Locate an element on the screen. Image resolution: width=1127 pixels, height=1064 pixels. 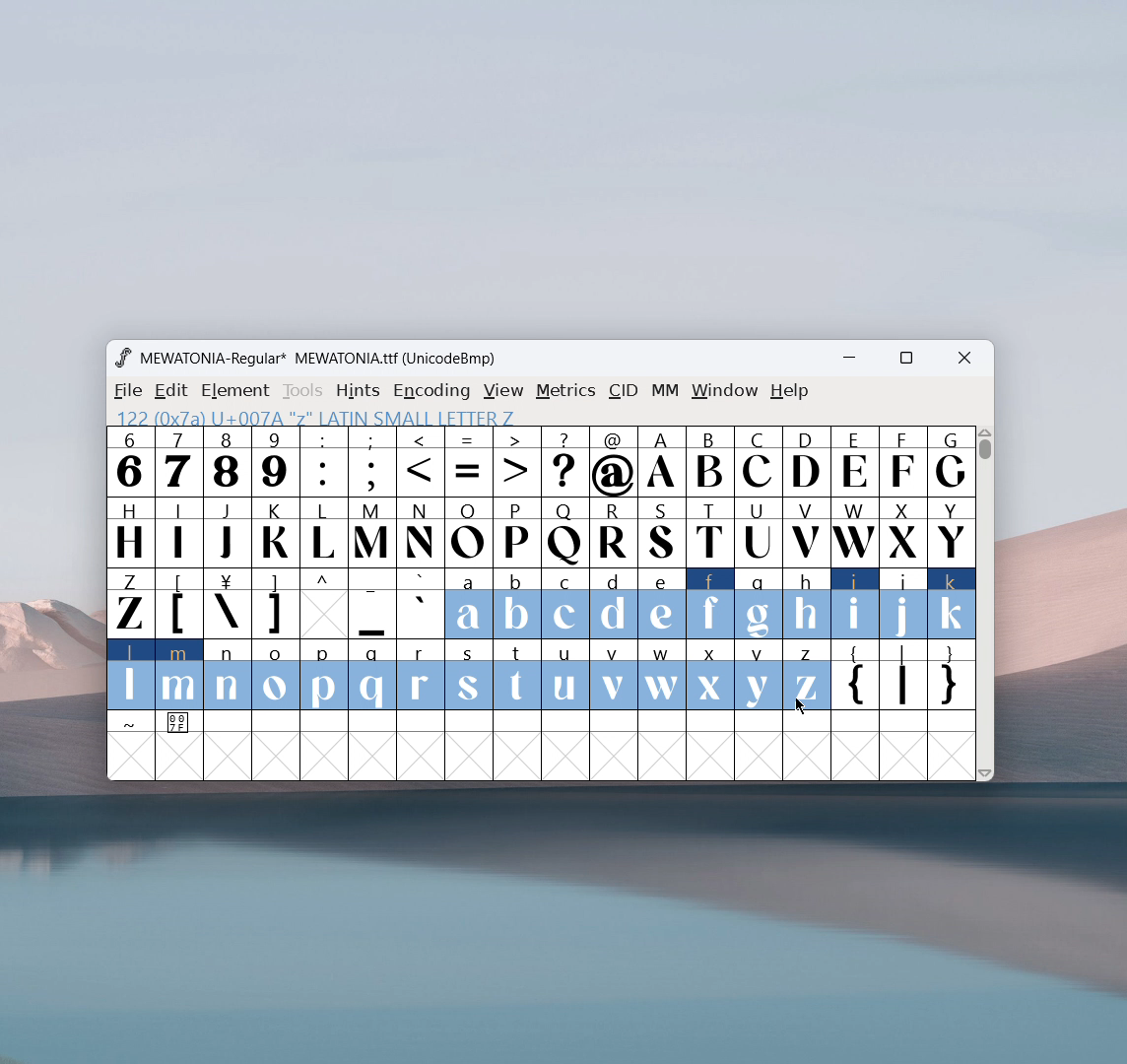
\ is located at coordinates (227, 604).